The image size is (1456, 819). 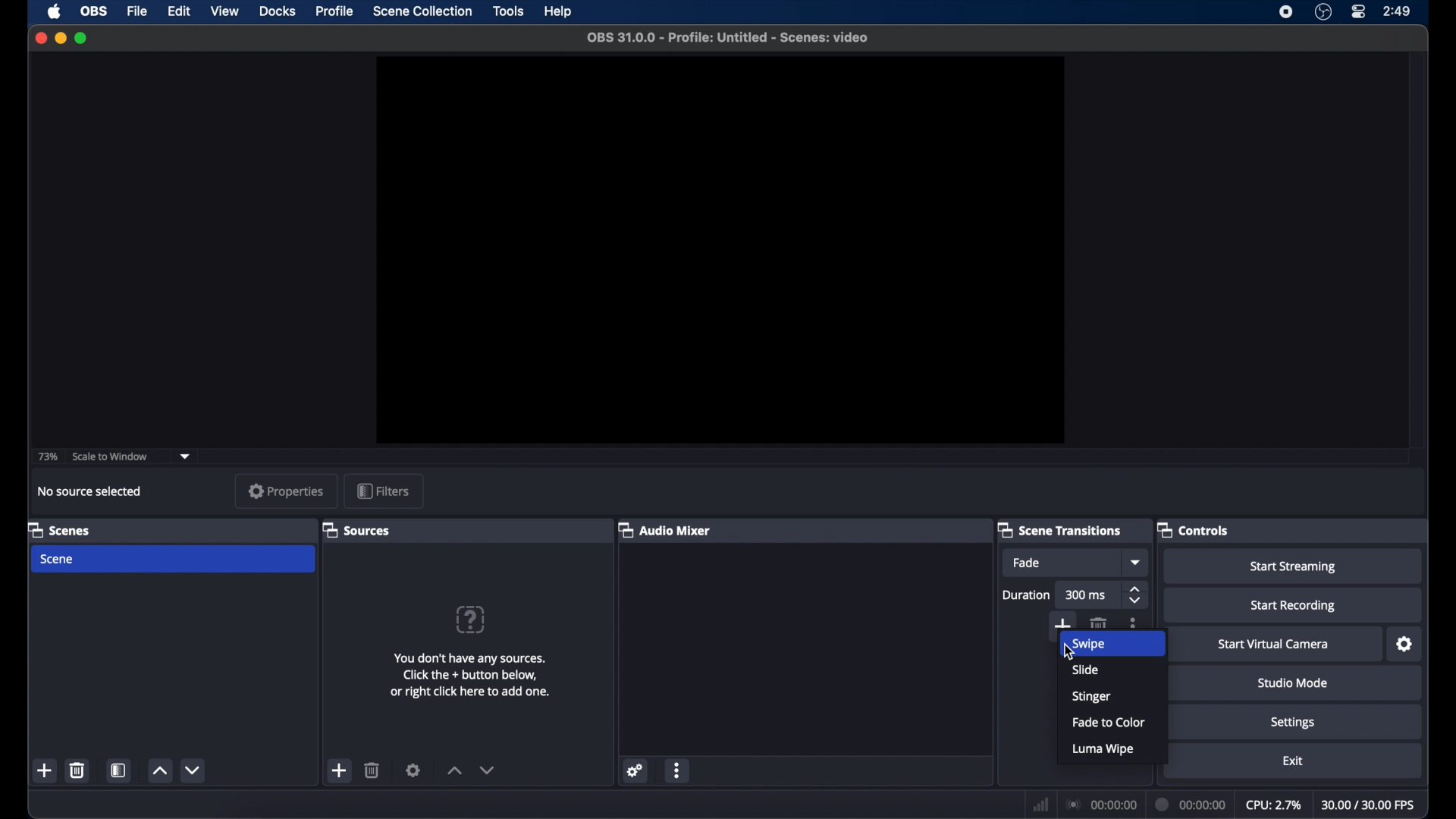 I want to click on scenes, so click(x=59, y=531).